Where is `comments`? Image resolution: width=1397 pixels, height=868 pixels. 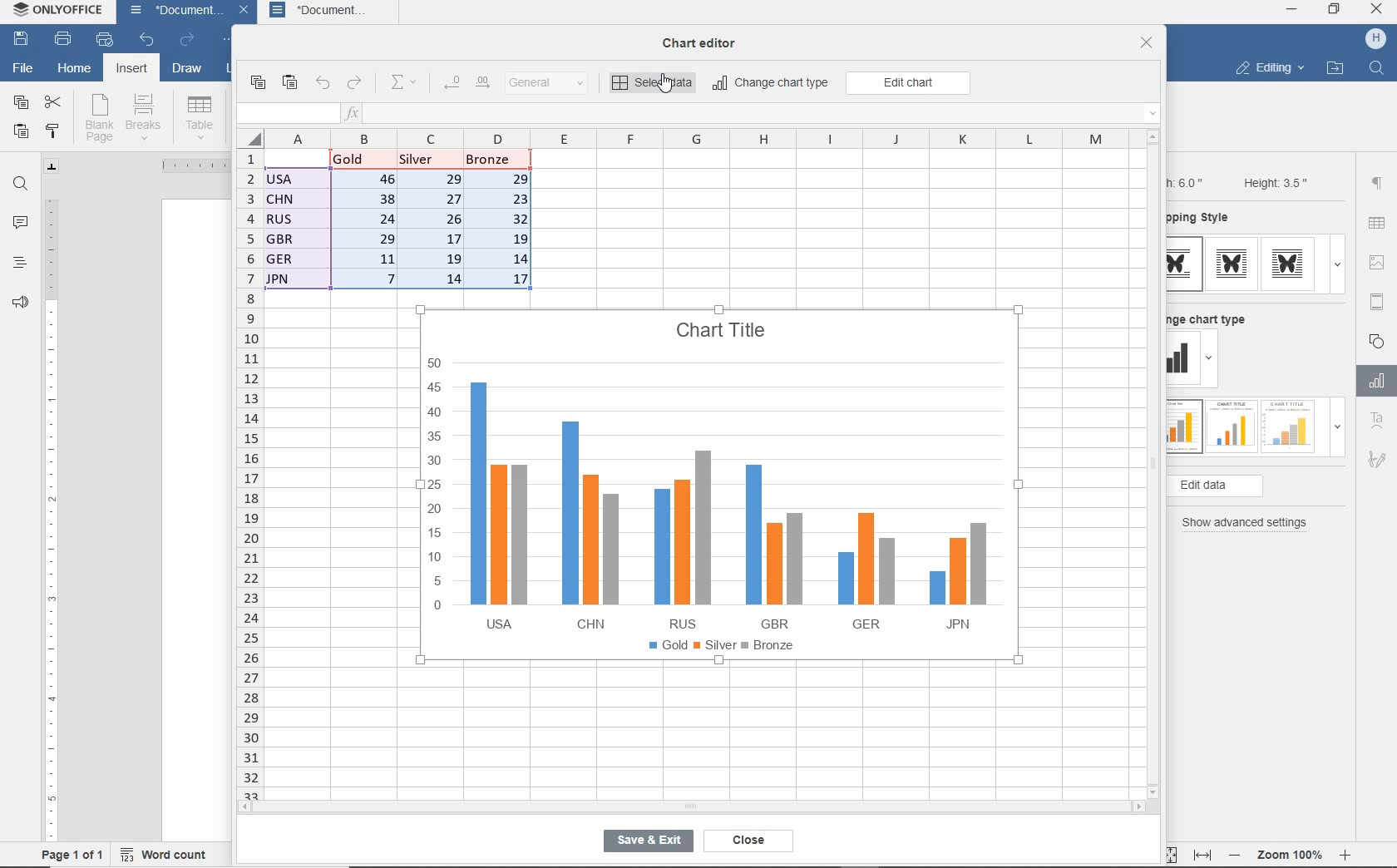 comments is located at coordinates (21, 224).